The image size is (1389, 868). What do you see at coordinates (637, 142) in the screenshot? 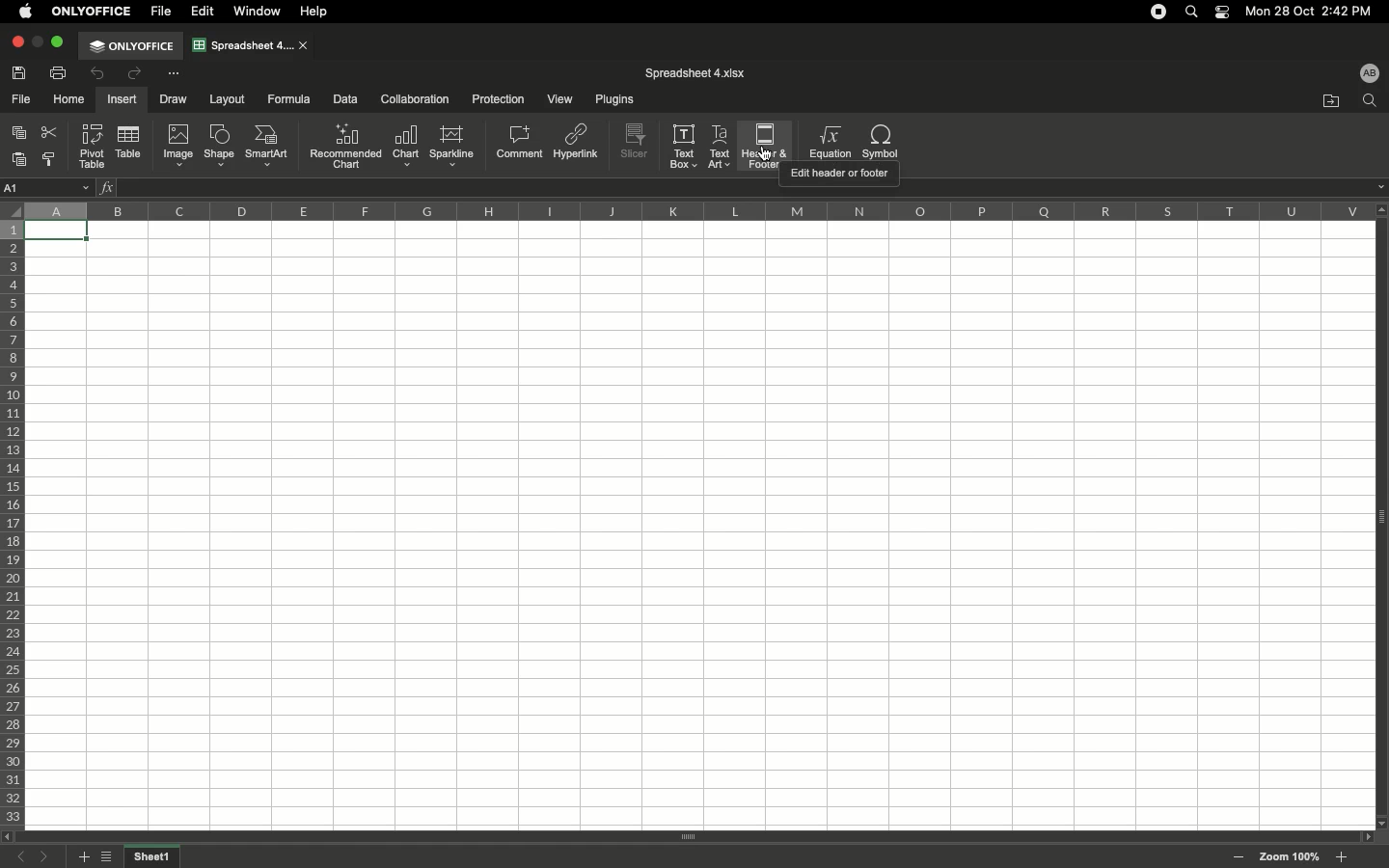
I see `Slicer` at bounding box center [637, 142].